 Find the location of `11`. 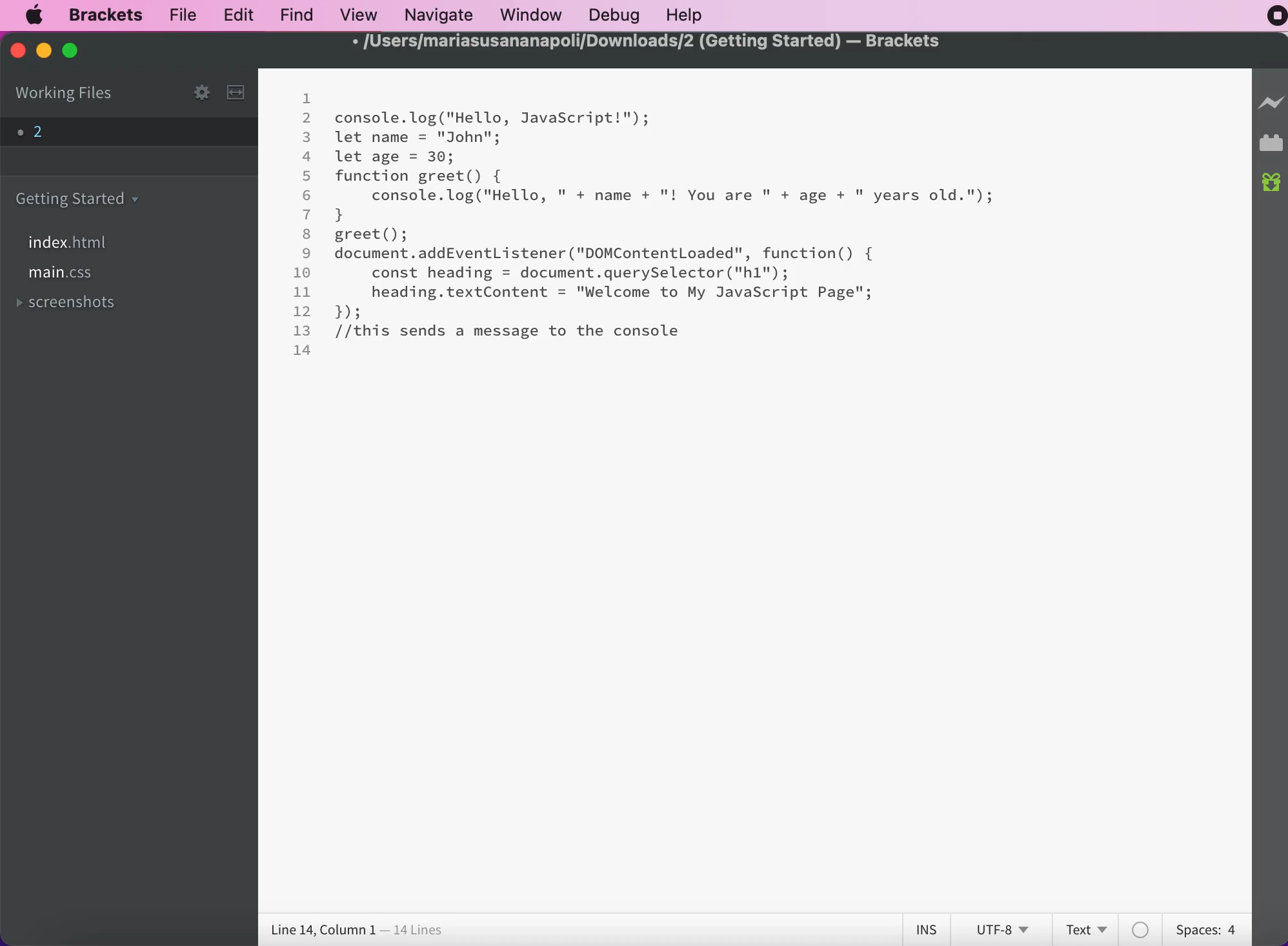

11 is located at coordinates (302, 292).